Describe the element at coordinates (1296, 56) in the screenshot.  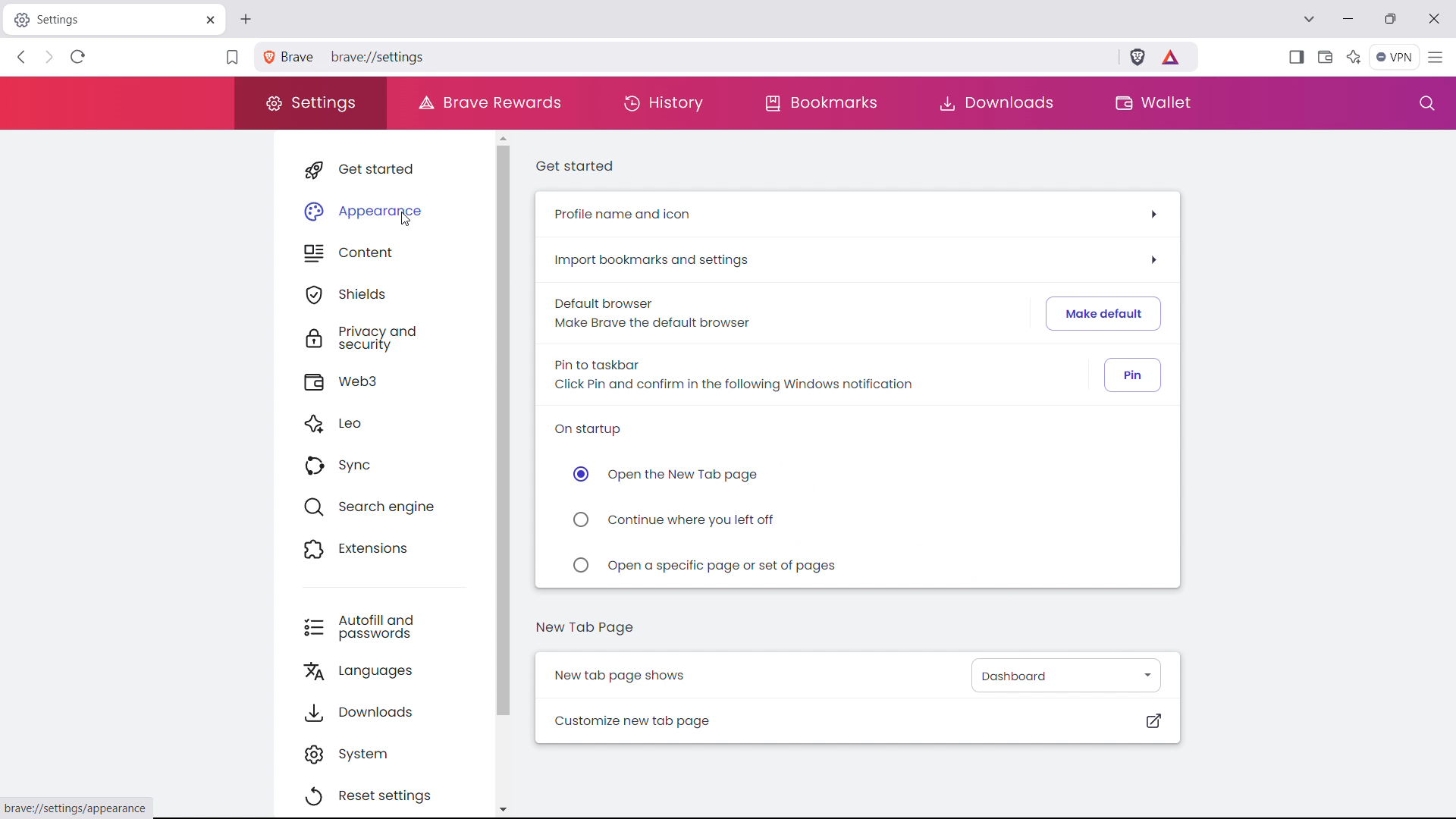
I see `show sidebar` at that location.